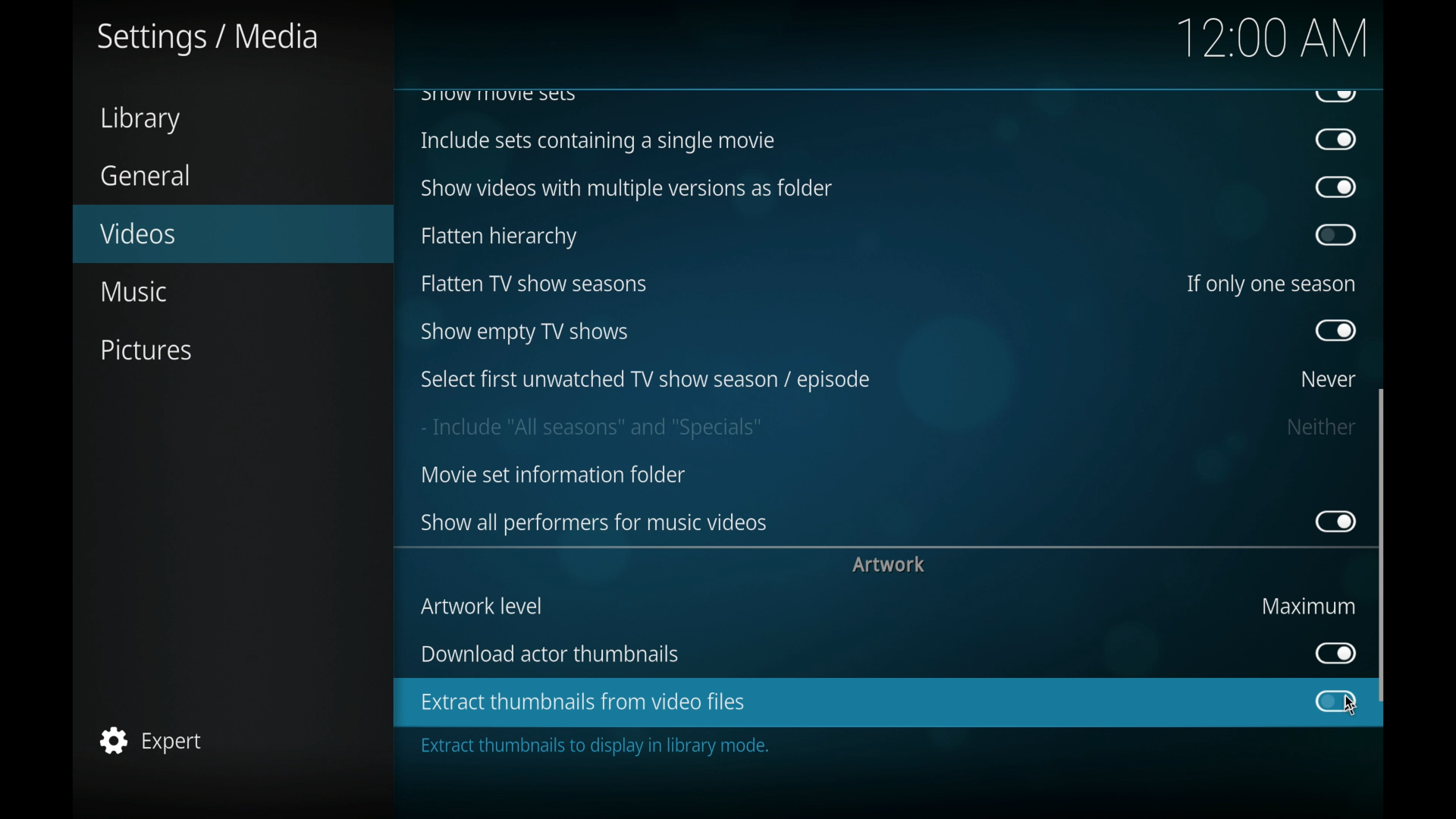 The height and width of the screenshot is (819, 1456). What do you see at coordinates (1309, 605) in the screenshot?
I see `maximum` at bounding box center [1309, 605].